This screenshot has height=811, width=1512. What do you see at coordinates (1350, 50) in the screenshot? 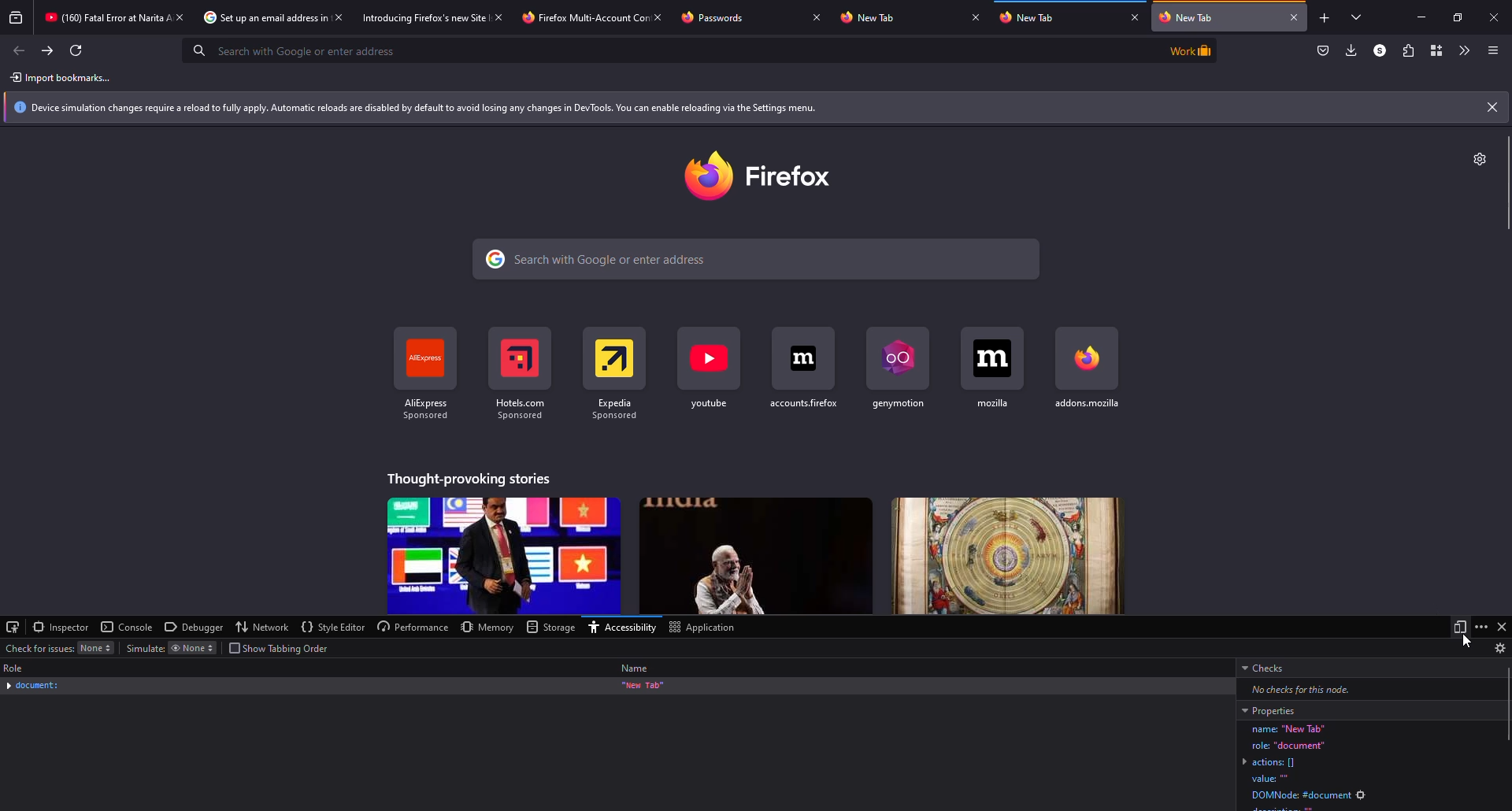
I see `downloads` at bounding box center [1350, 50].